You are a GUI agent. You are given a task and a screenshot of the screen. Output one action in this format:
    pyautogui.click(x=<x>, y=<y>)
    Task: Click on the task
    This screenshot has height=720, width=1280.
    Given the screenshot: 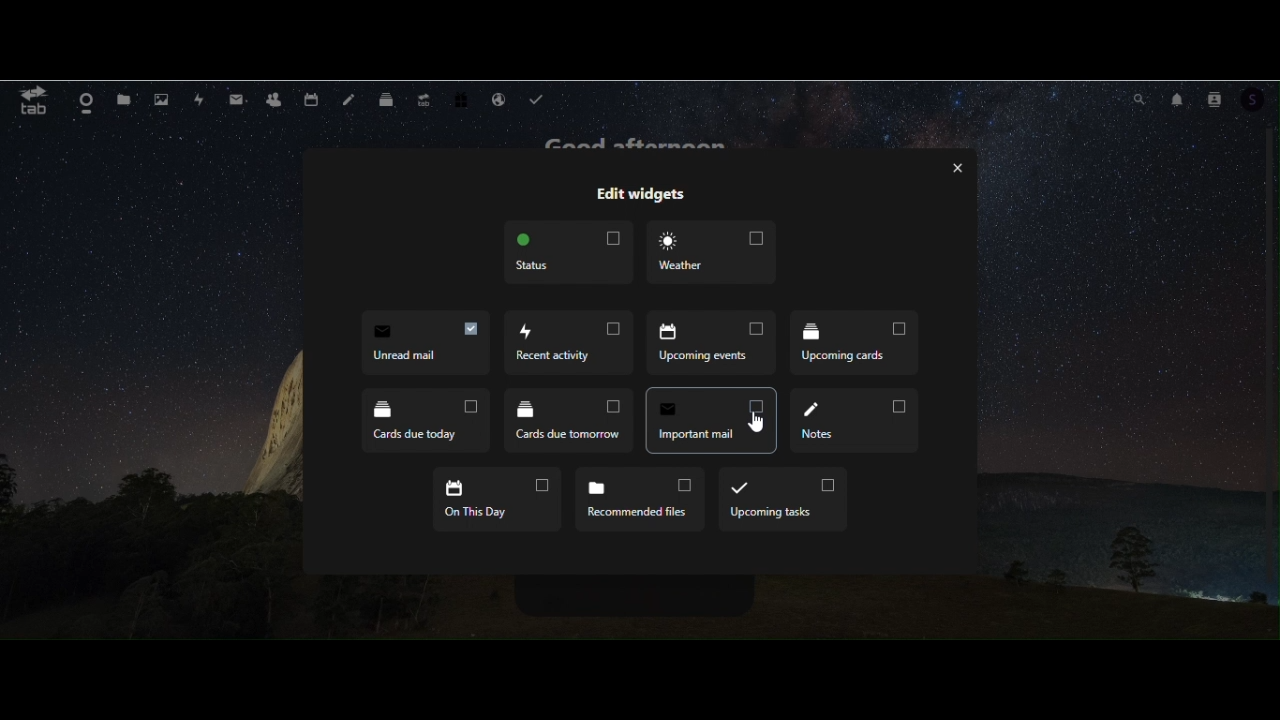 What is the action you would take?
    pyautogui.click(x=540, y=98)
    